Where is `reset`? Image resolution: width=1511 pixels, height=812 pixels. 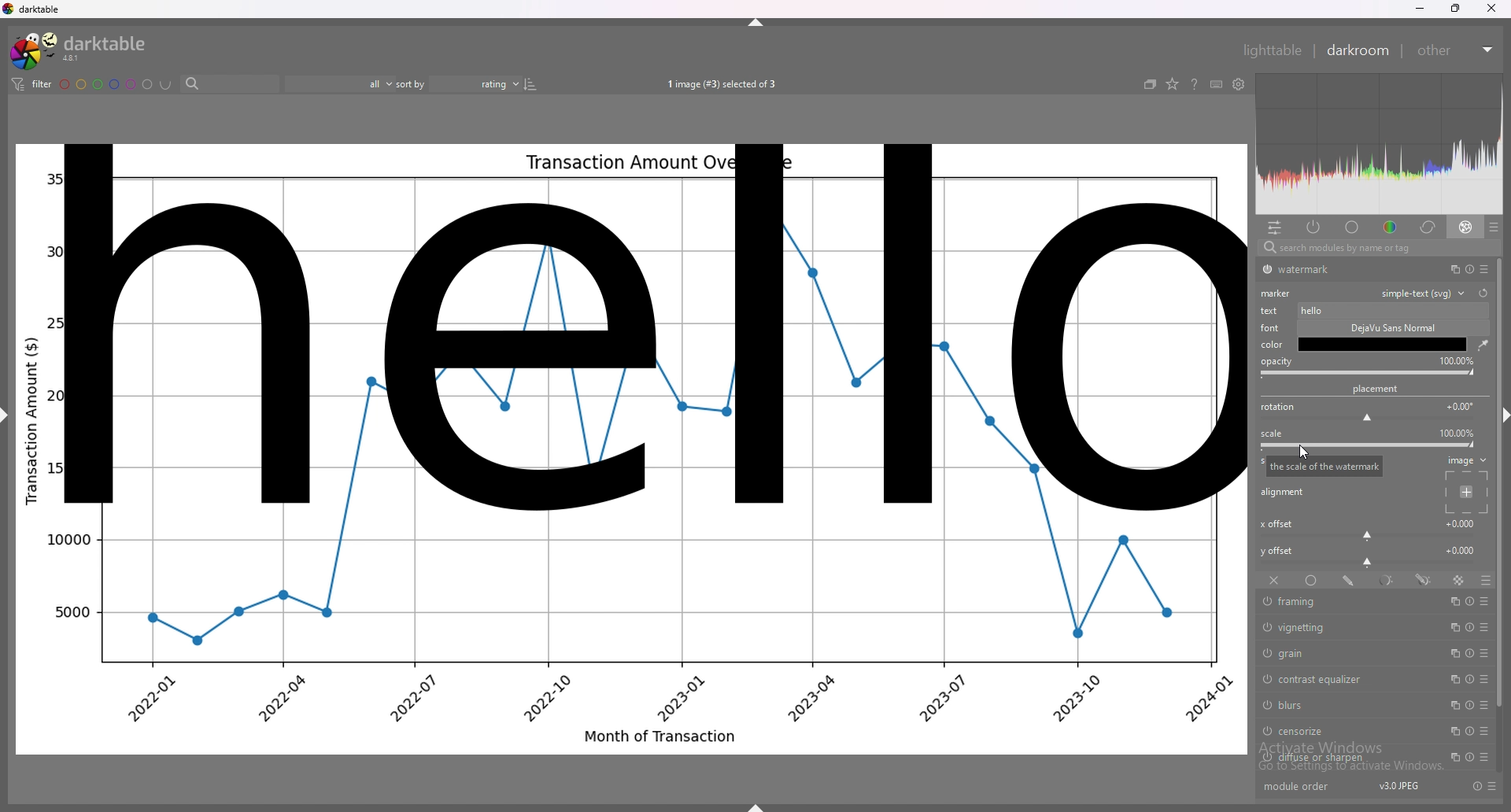
reset is located at coordinates (1469, 653).